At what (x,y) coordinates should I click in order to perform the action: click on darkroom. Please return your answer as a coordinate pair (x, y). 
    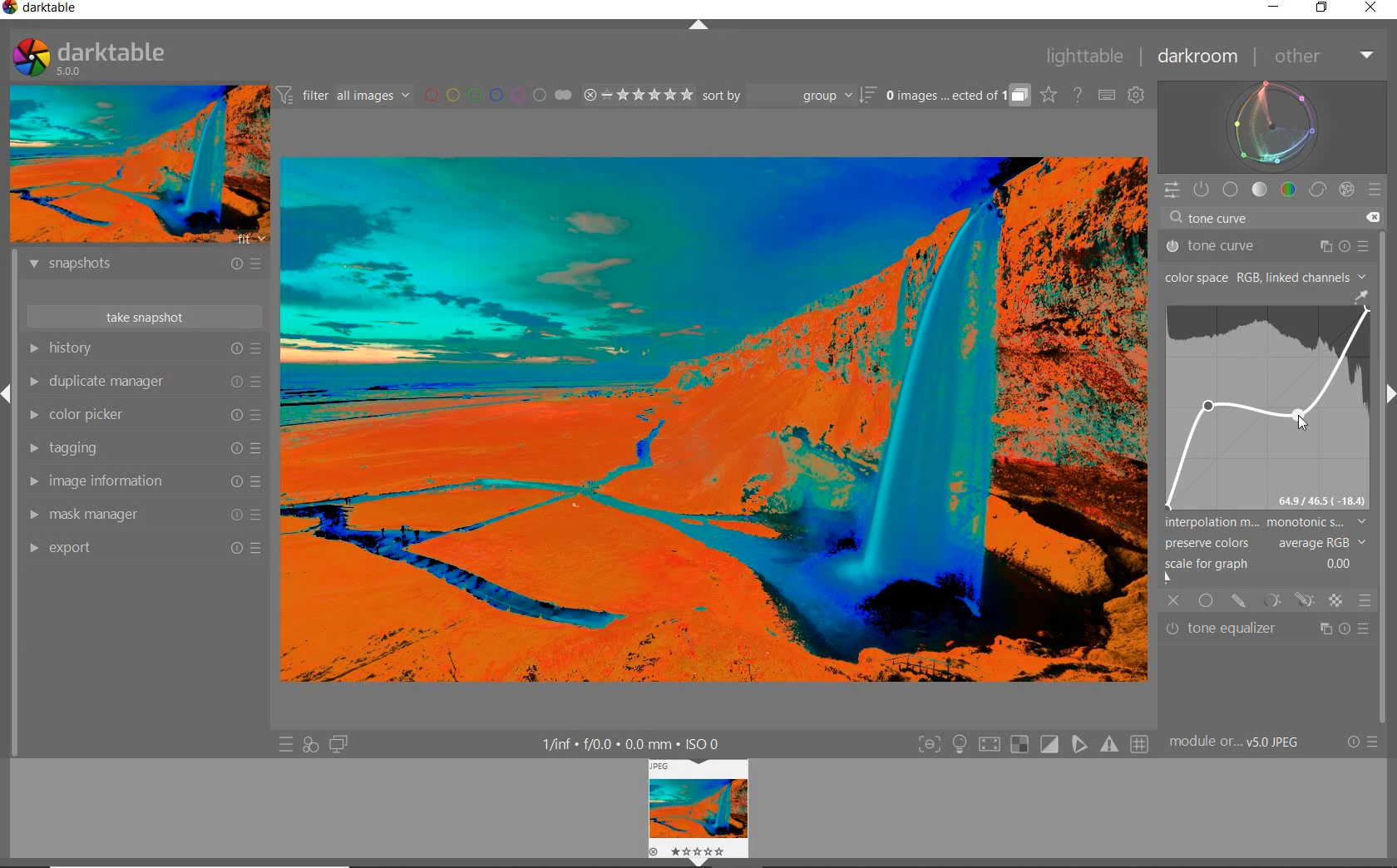
    Looking at the image, I should click on (1198, 57).